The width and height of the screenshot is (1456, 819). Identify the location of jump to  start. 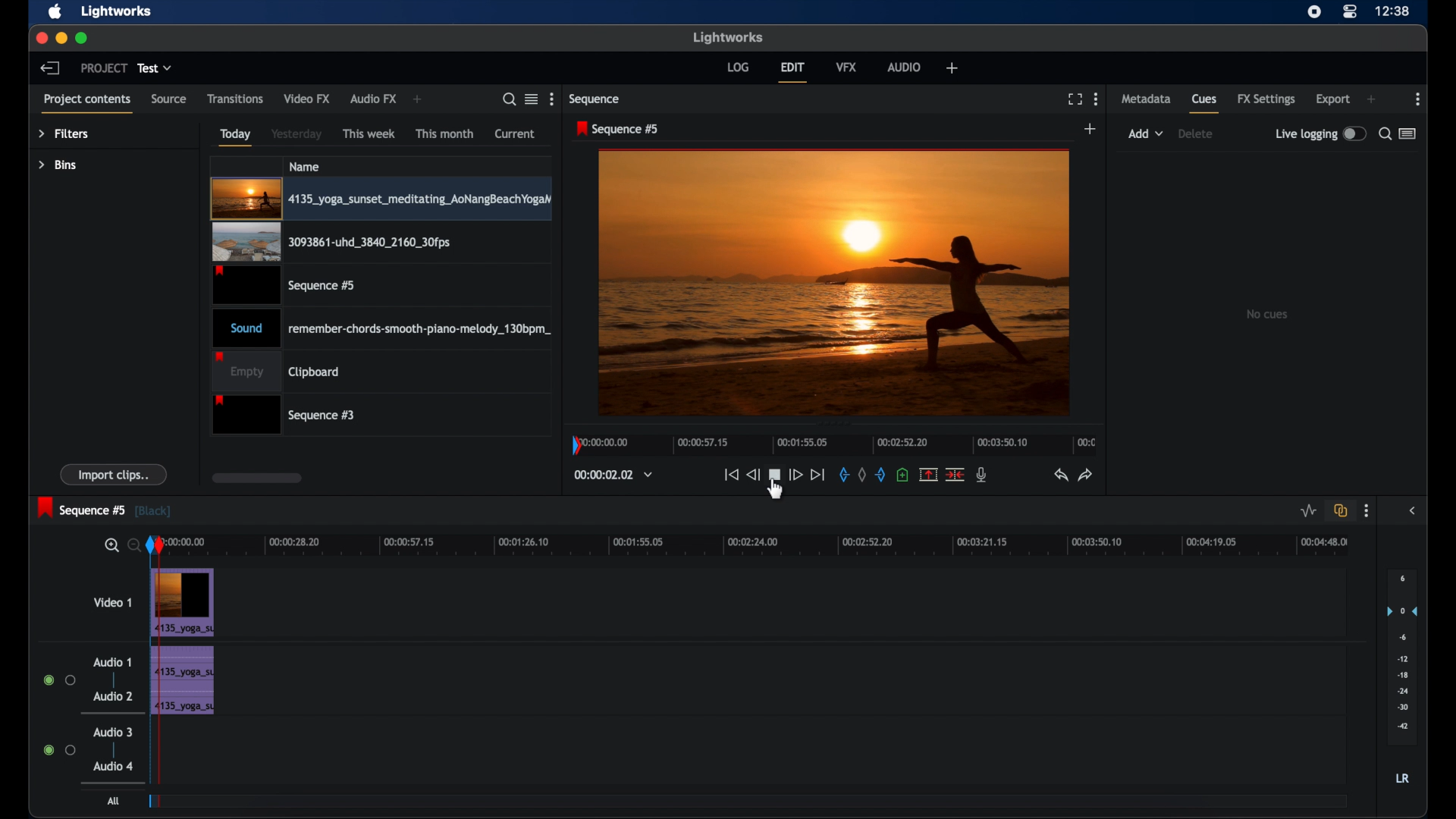
(730, 475).